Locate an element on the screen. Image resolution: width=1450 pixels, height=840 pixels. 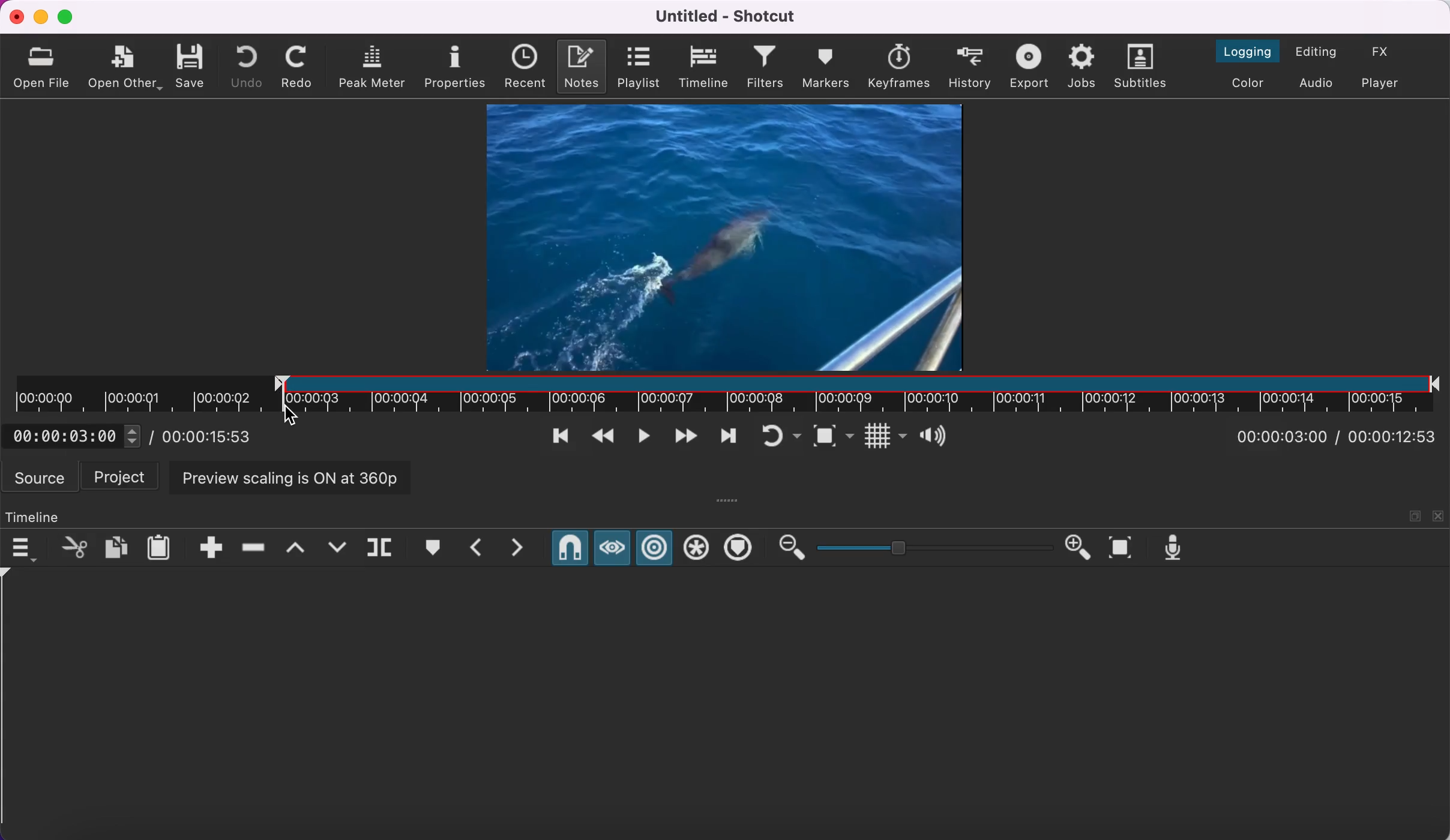
jobs is located at coordinates (1083, 67).